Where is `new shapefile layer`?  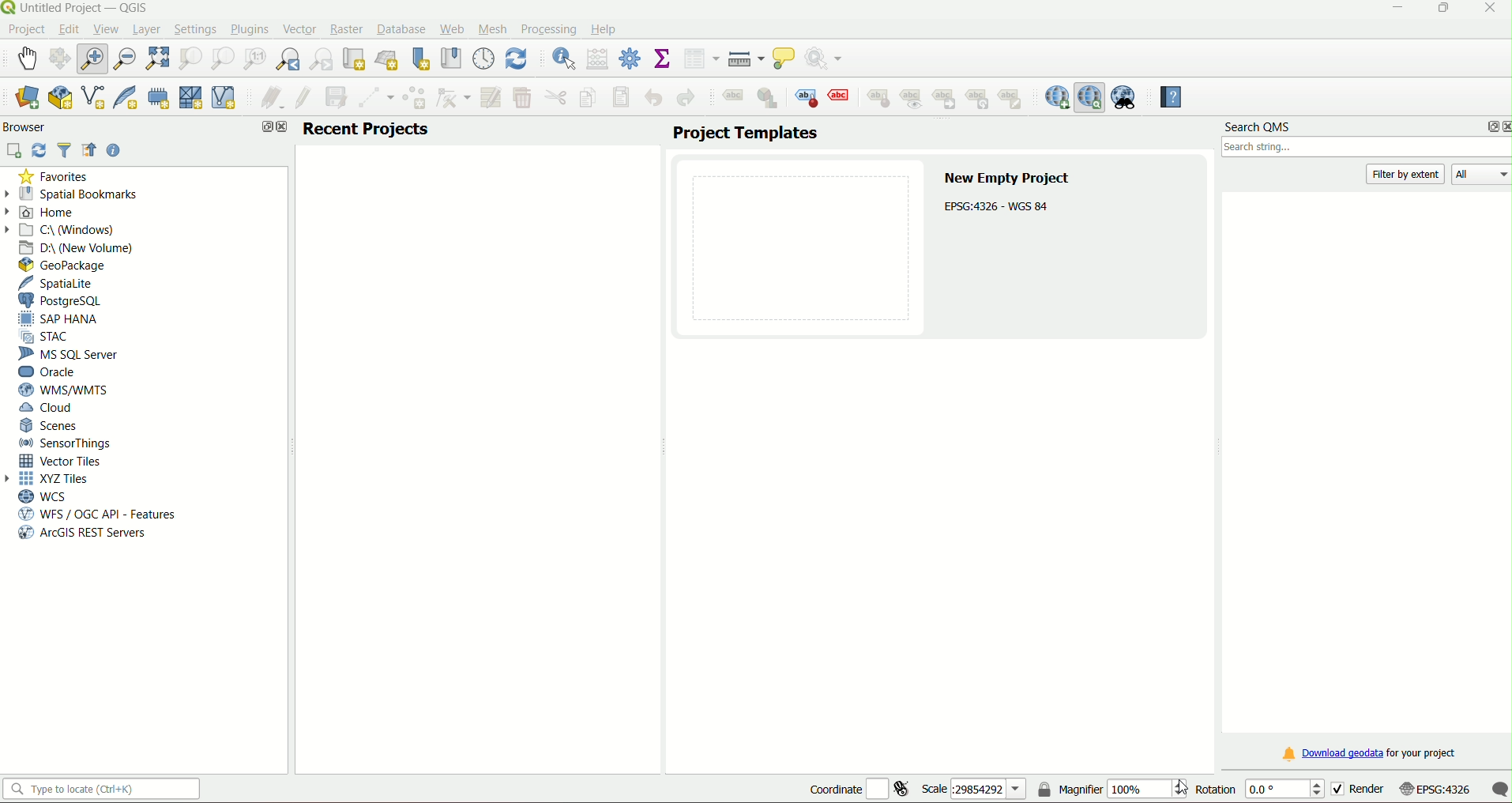 new shapefile layer is located at coordinates (92, 99).